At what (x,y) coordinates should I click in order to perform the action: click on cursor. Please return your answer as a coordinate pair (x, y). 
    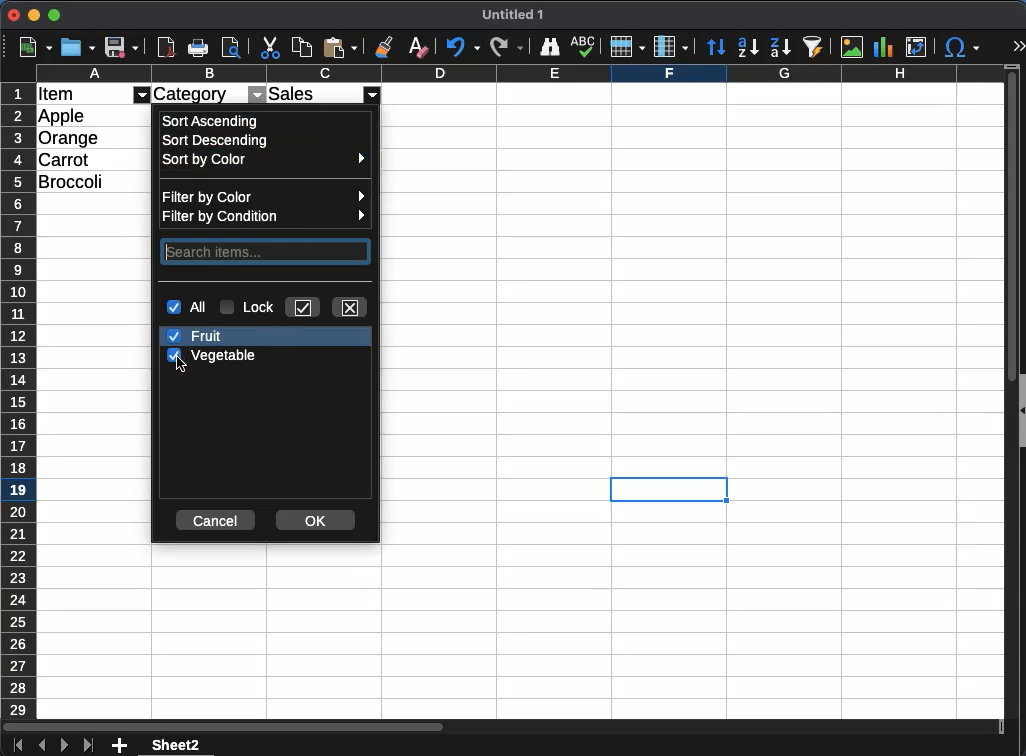
    Looking at the image, I should click on (180, 364).